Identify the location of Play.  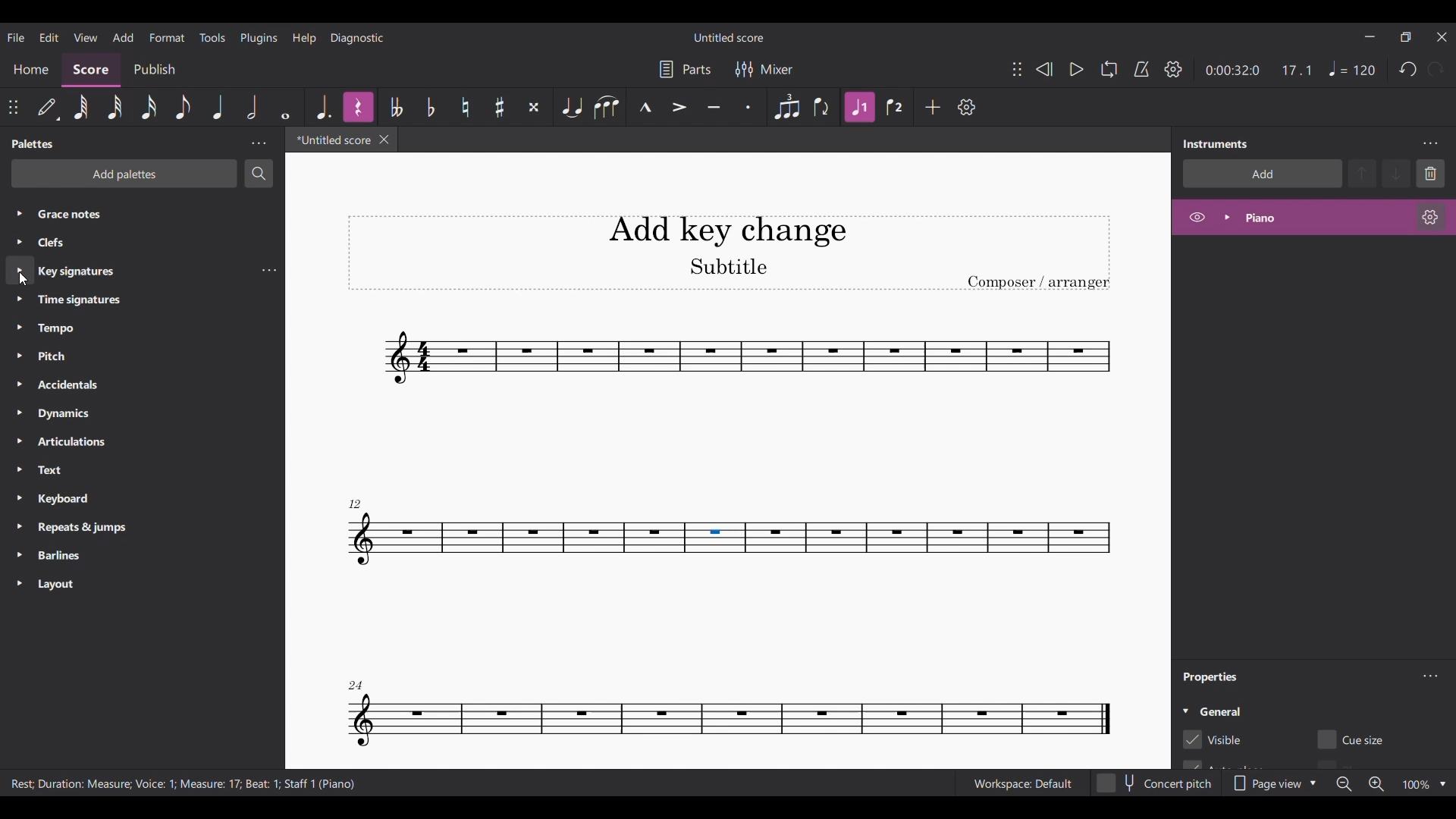
(1076, 69).